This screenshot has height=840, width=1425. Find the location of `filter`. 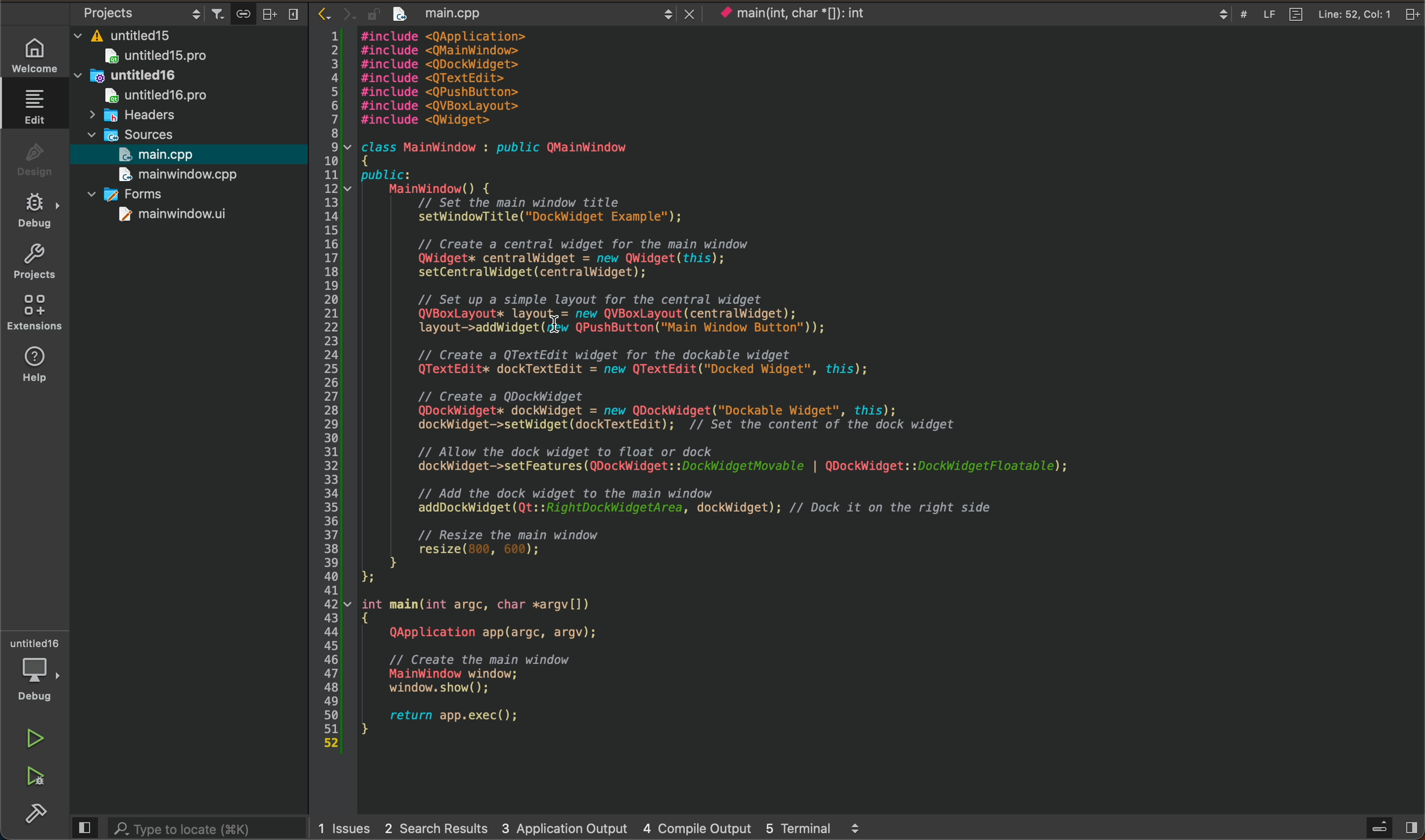

filter is located at coordinates (220, 11).